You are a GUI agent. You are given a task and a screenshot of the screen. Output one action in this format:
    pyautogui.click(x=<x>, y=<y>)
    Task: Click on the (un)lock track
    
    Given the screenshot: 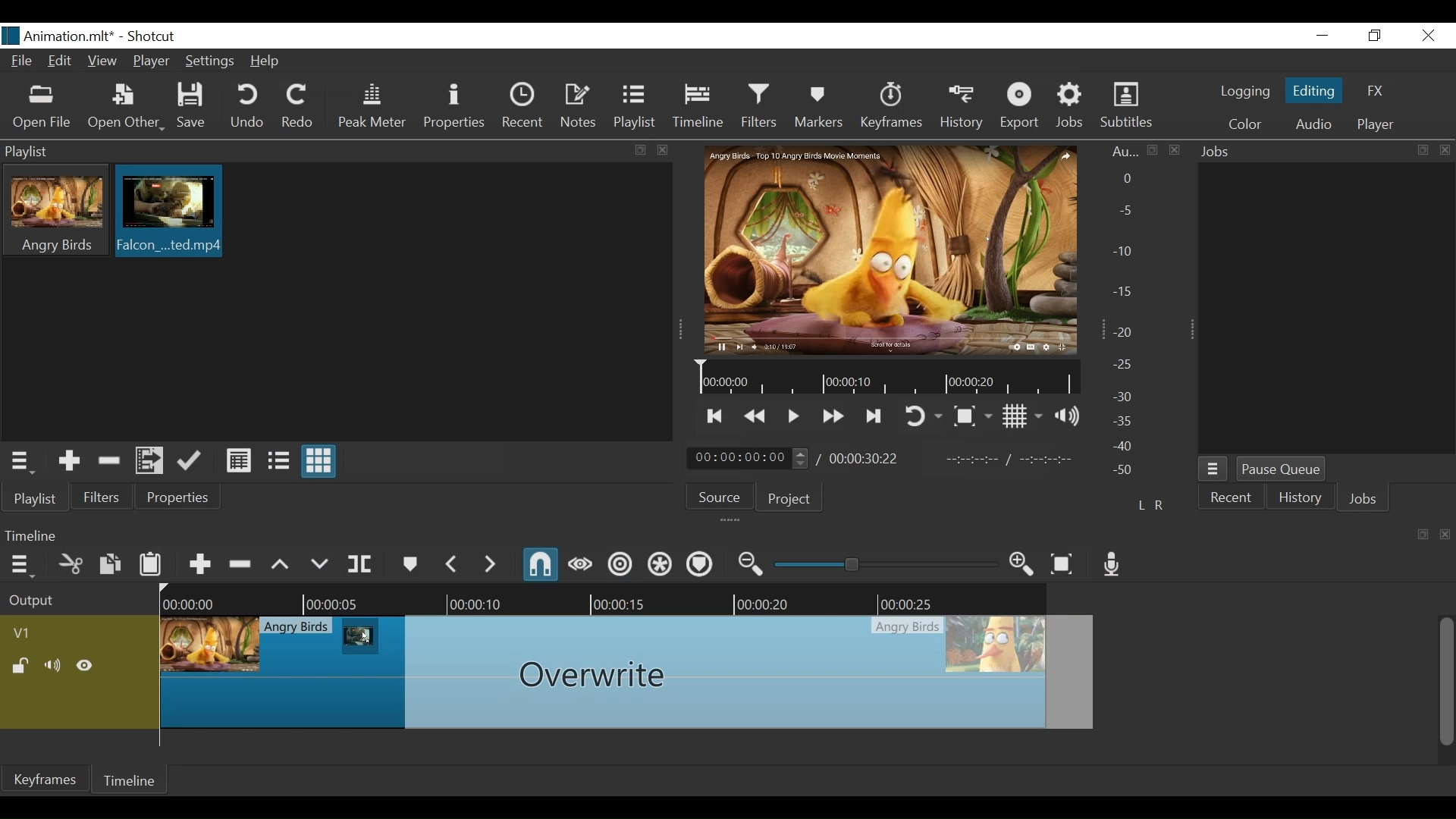 What is the action you would take?
    pyautogui.click(x=21, y=666)
    